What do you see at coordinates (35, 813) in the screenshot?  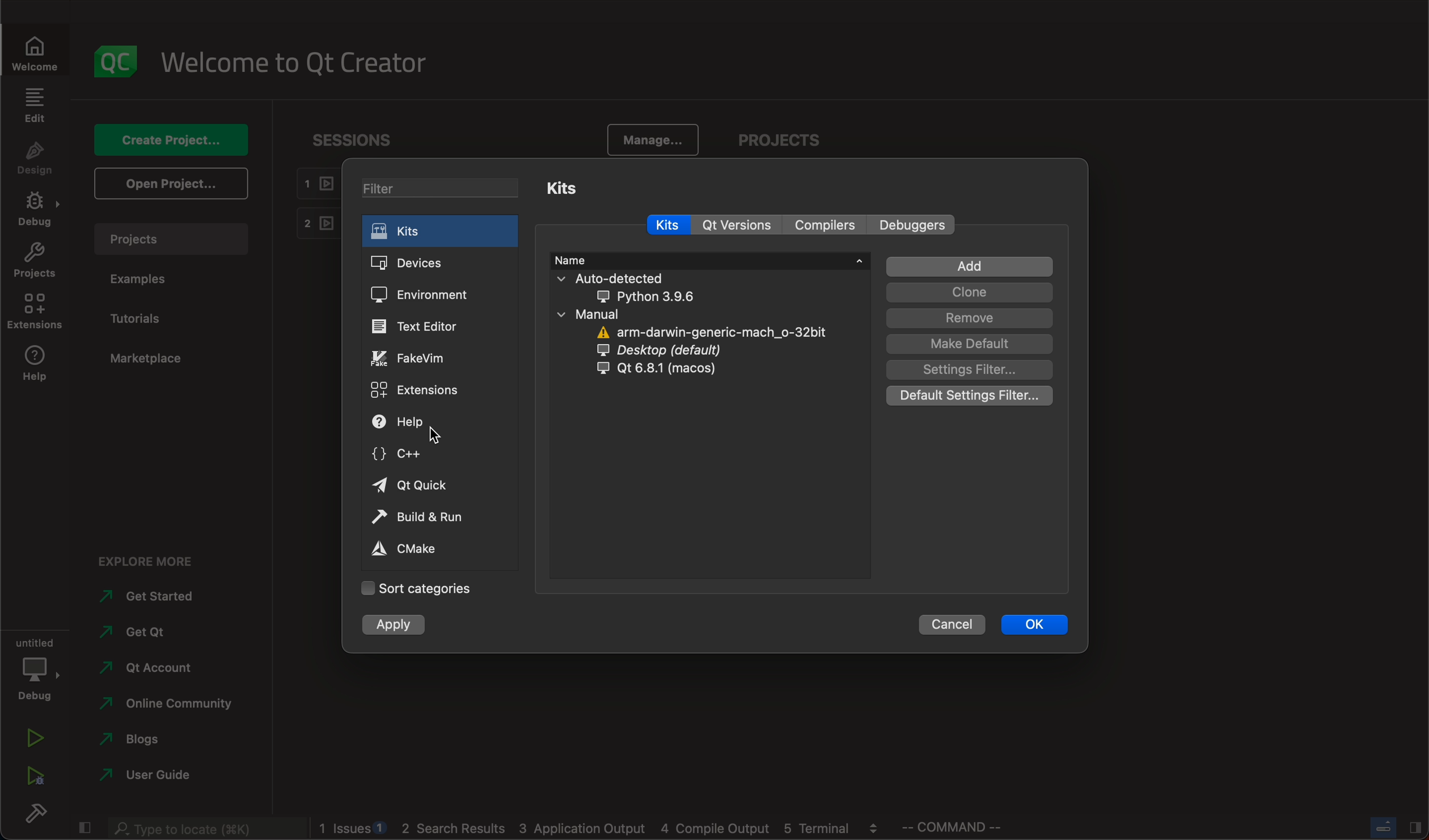 I see `build` at bounding box center [35, 813].